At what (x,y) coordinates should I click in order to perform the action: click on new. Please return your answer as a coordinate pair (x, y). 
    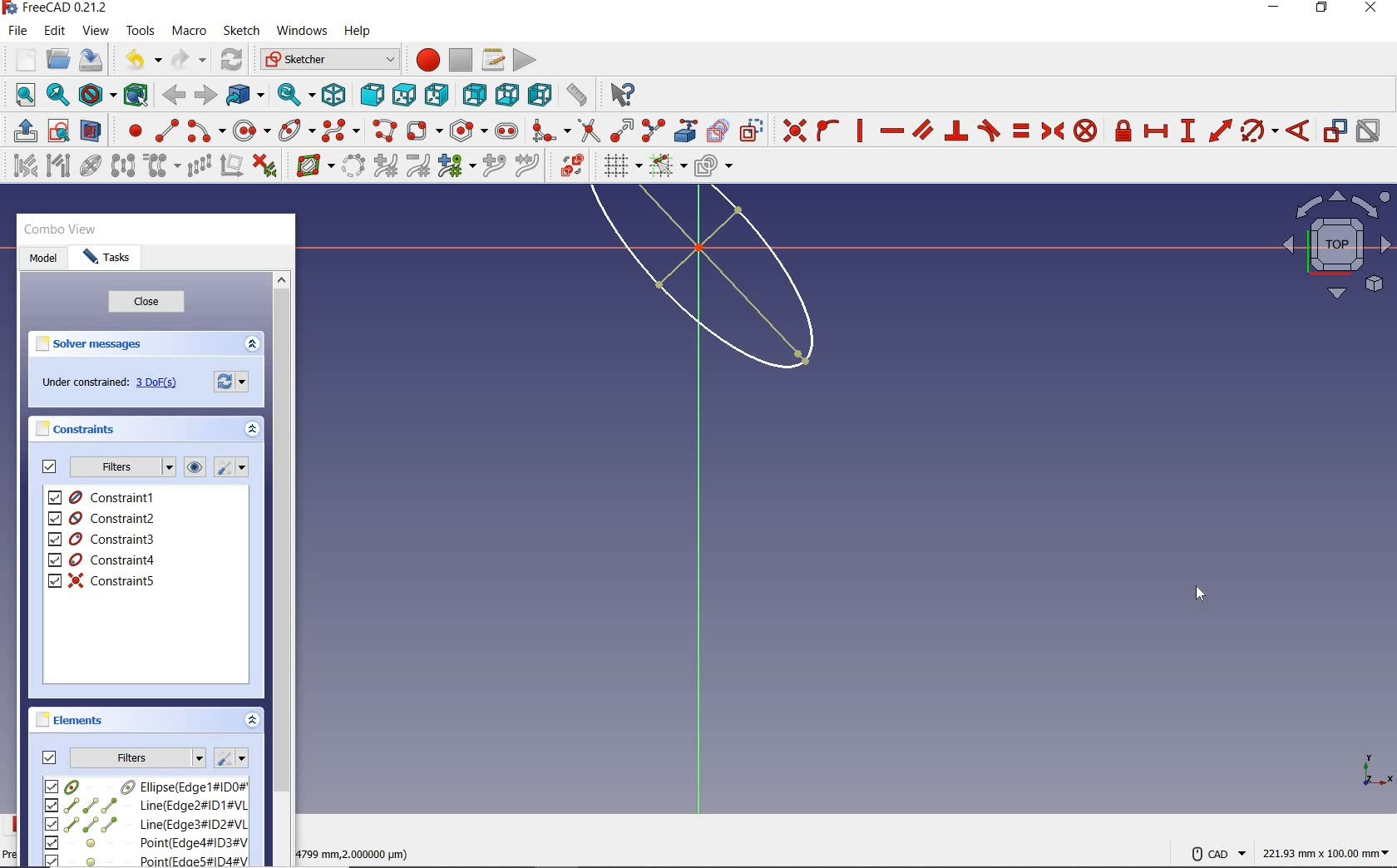
    Looking at the image, I should click on (21, 59).